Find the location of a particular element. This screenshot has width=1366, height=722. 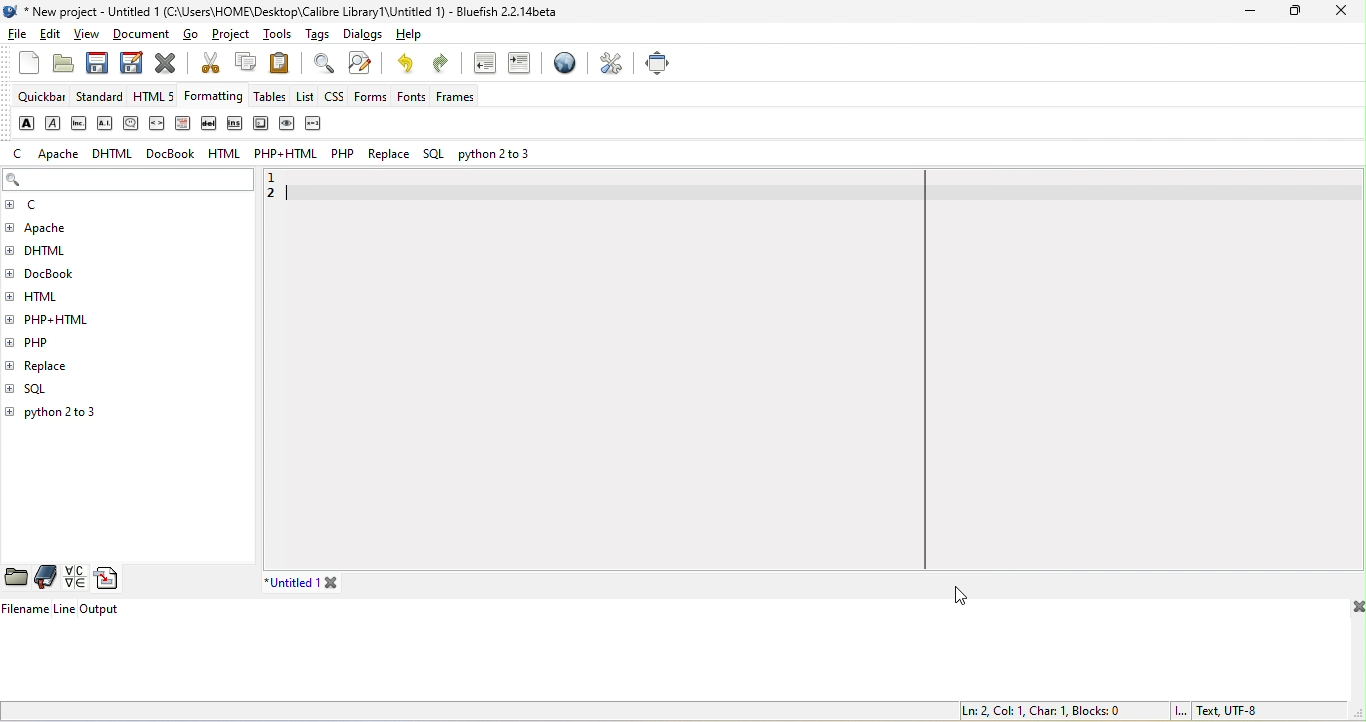

full screen is located at coordinates (658, 62).